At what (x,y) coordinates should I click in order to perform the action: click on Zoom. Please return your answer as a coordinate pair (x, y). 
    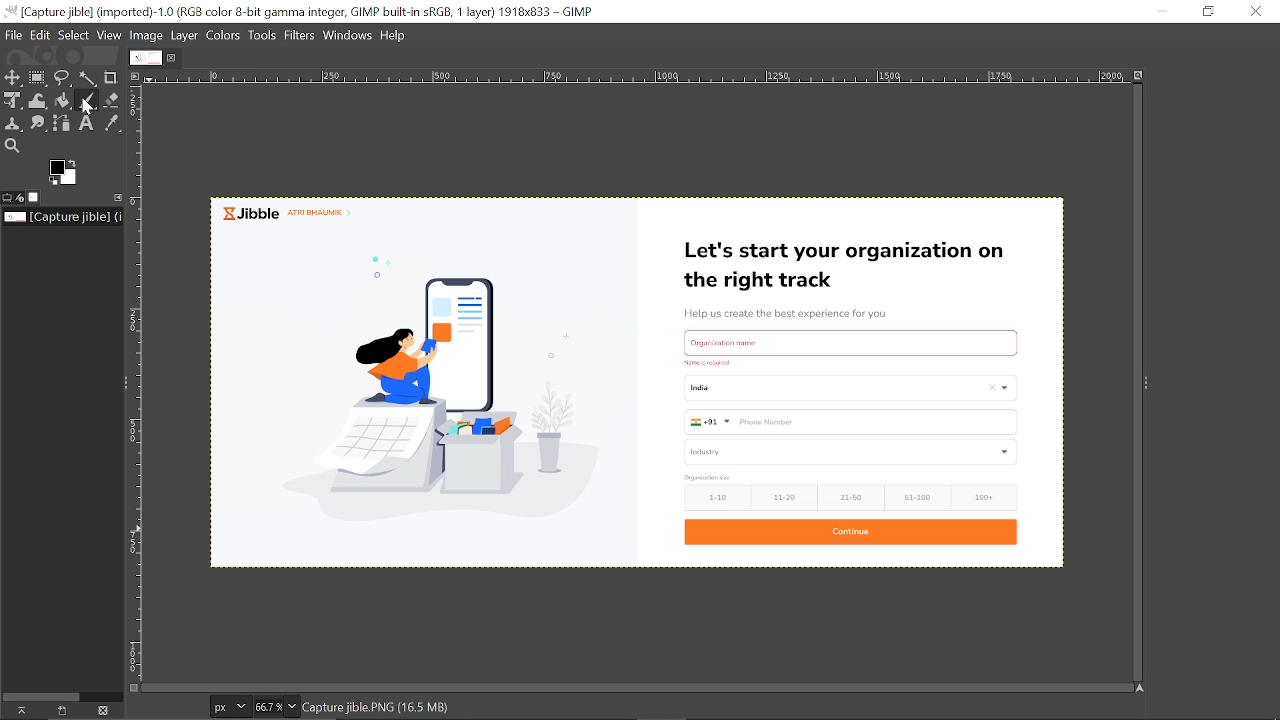
    Looking at the image, I should click on (274, 707).